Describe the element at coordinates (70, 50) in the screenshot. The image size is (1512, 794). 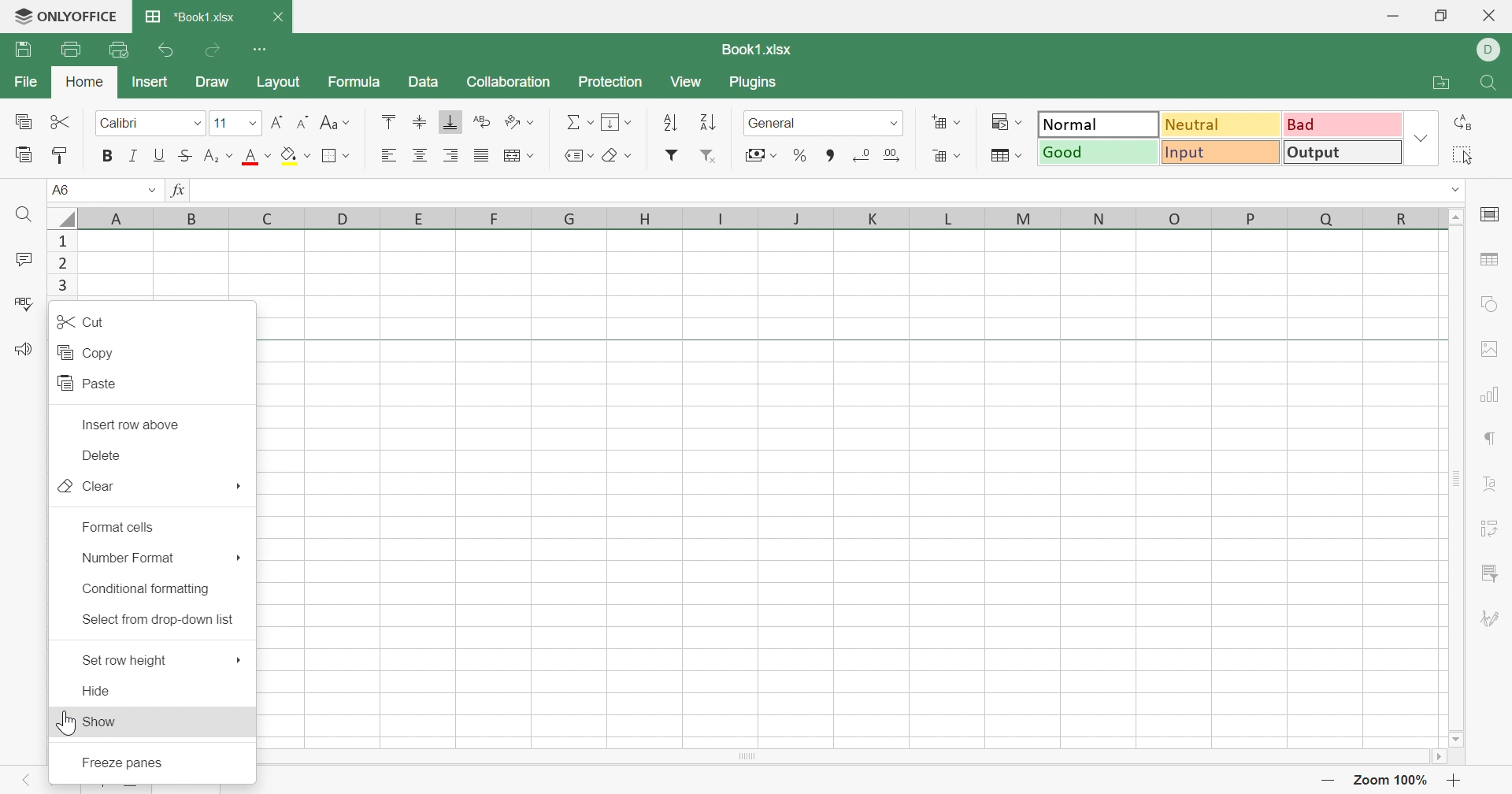
I see `Print` at that location.